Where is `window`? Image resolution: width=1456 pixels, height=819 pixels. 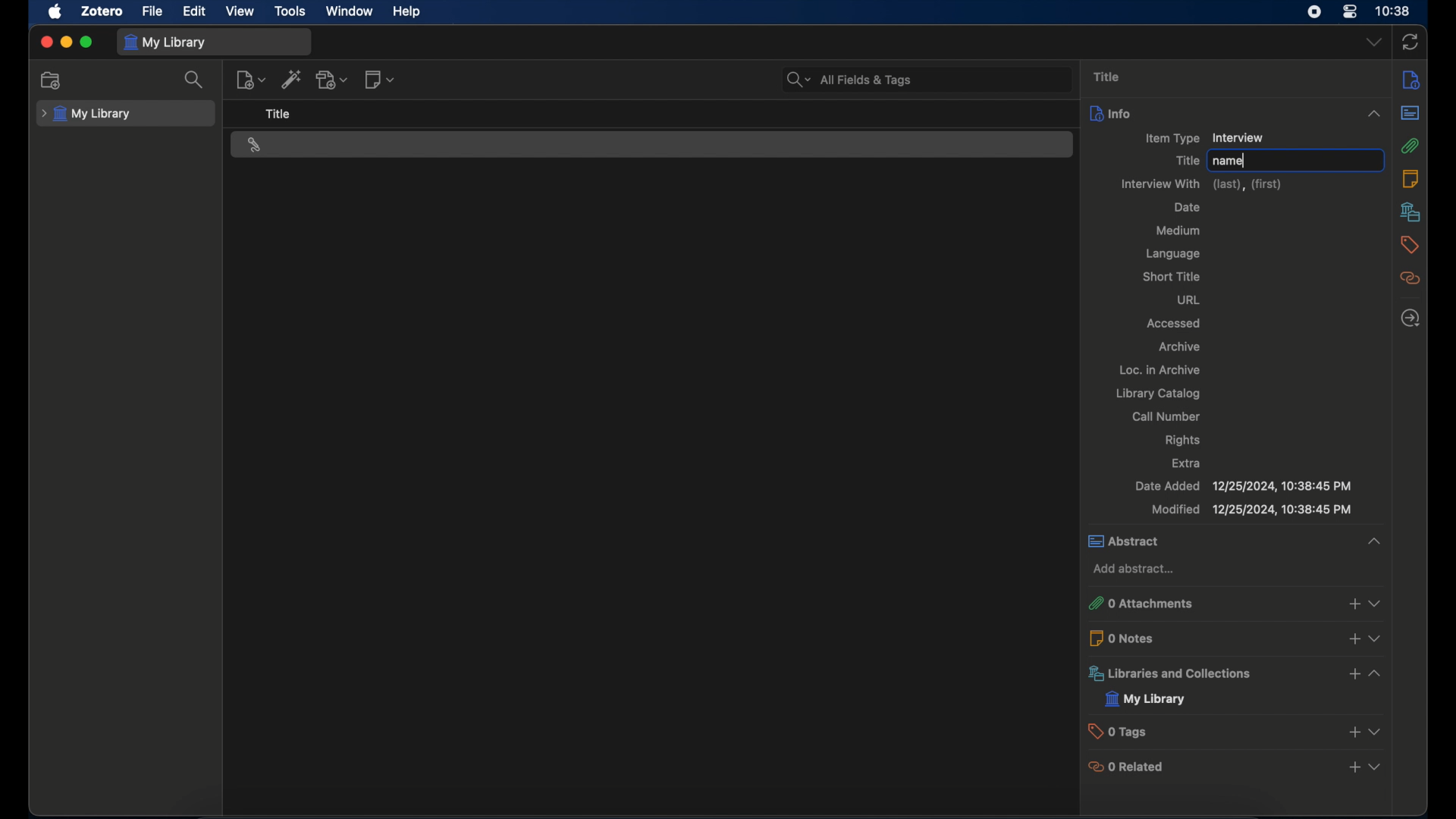
window is located at coordinates (350, 11).